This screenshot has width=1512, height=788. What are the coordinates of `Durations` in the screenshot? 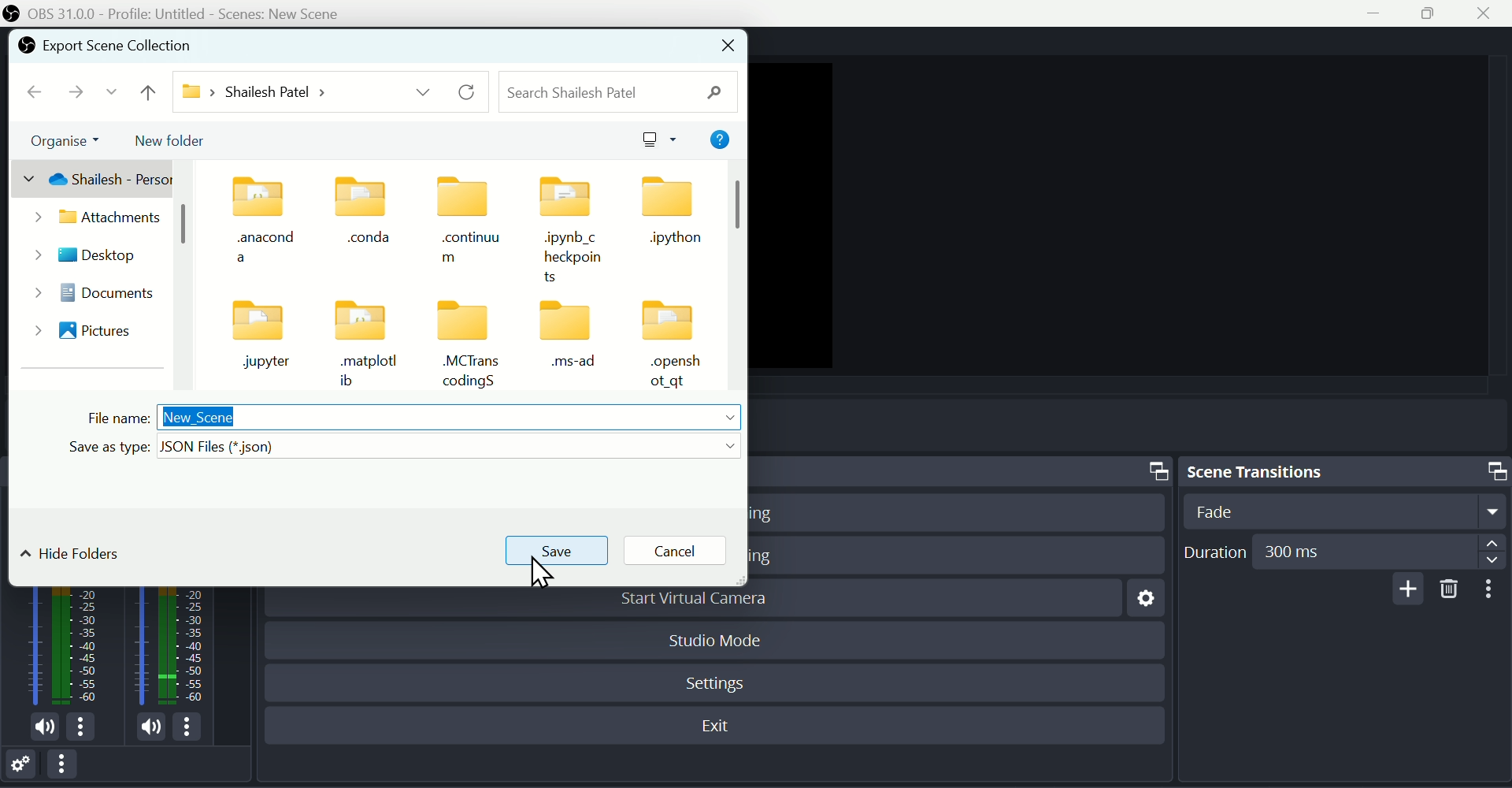 It's located at (1343, 551).